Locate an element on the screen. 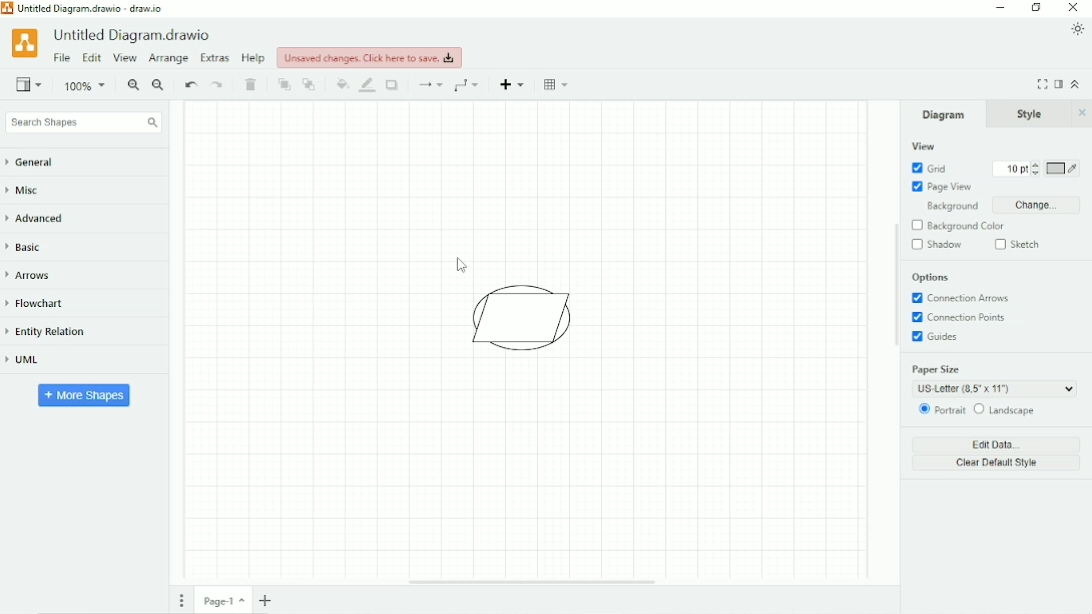 The image size is (1092, 614). Landscape is located at coordinates (1006, 410).